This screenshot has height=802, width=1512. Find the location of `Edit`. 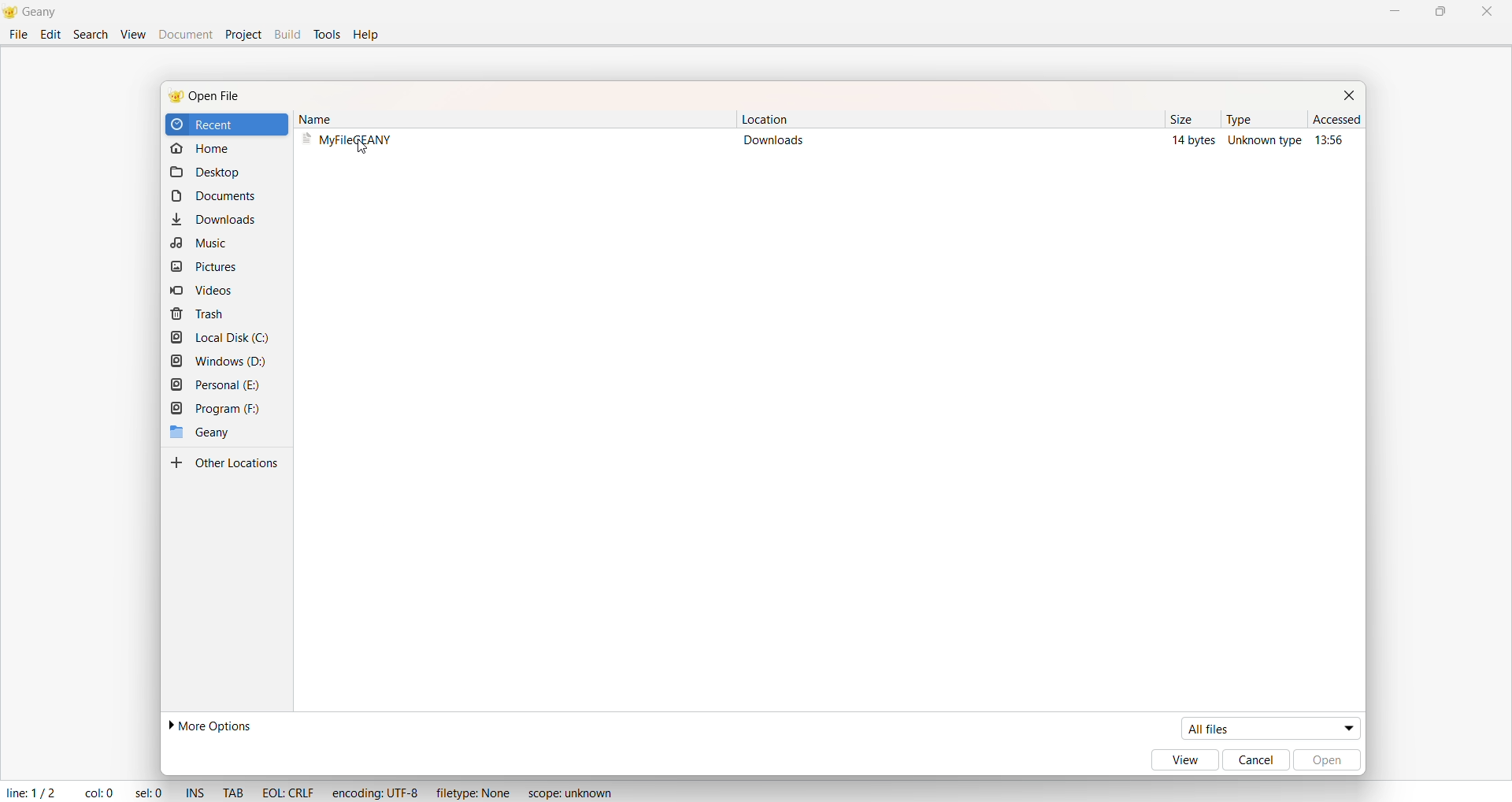

Edit is located at coordinates (50, 35).